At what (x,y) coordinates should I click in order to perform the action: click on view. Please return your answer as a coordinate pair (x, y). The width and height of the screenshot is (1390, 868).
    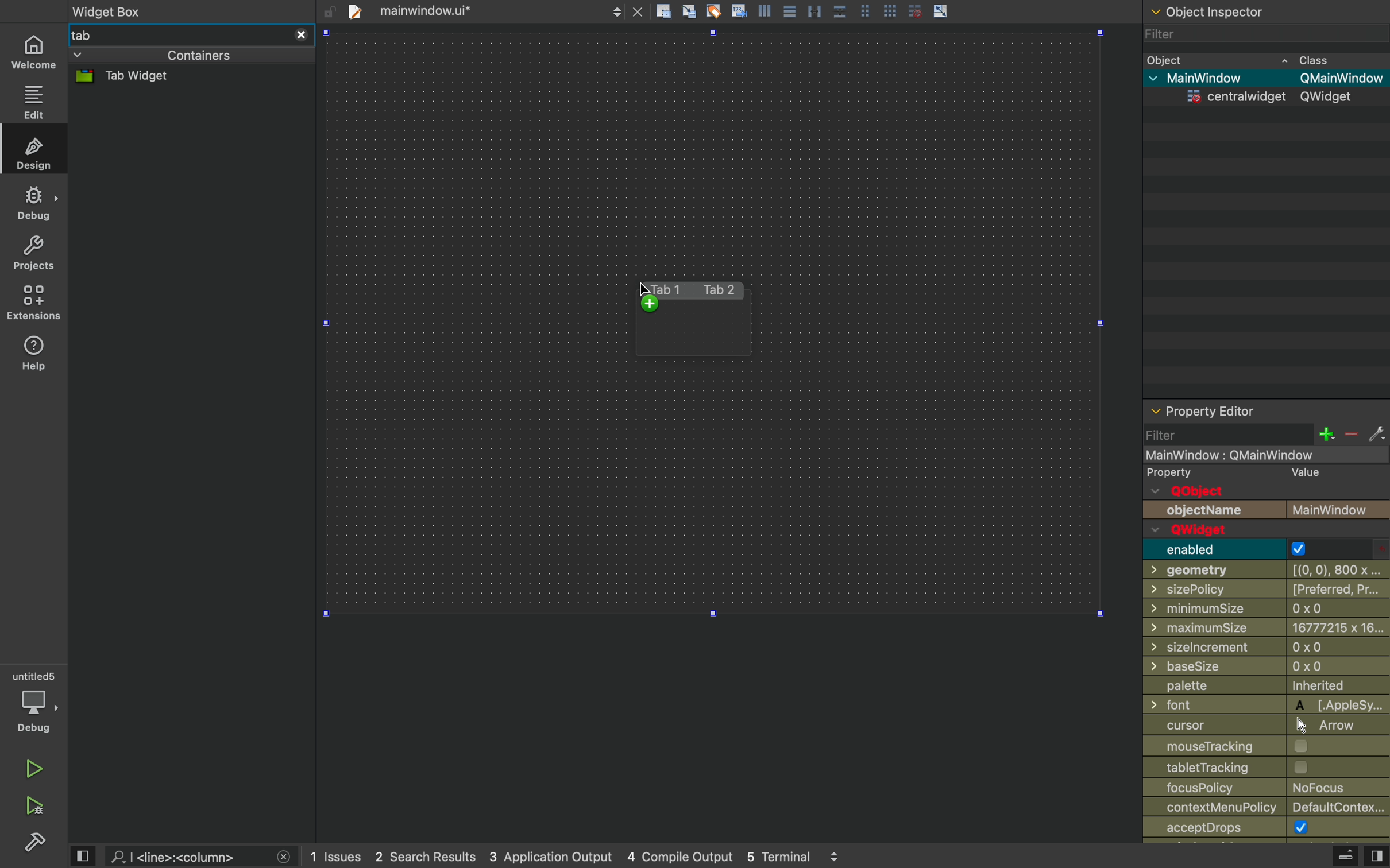
    Looking at the image, I should click on (82, 857).